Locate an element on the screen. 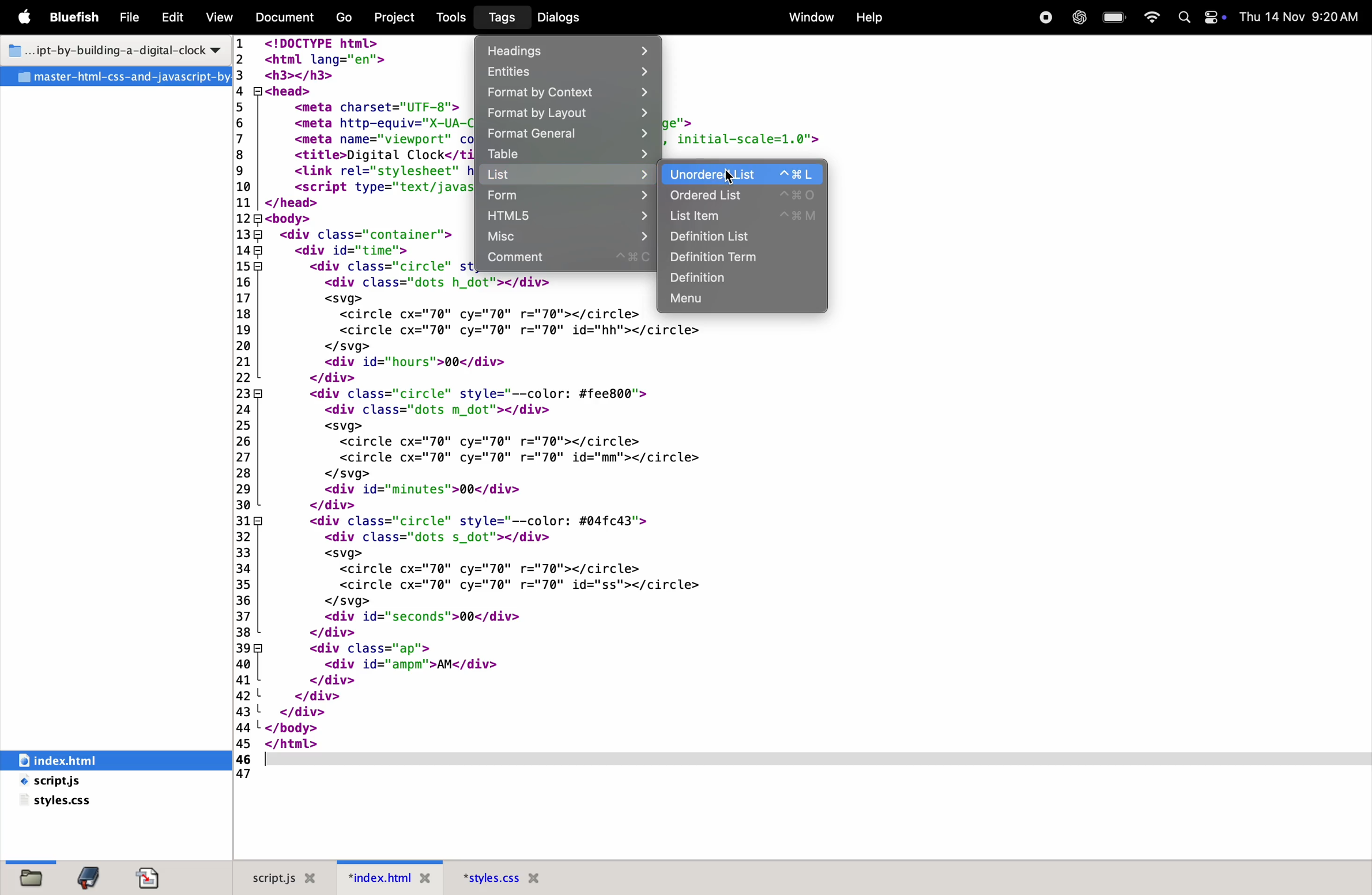 Image resolution: width=1372 pixels, height=895 pixels. file is located at coordinates (32, 879).